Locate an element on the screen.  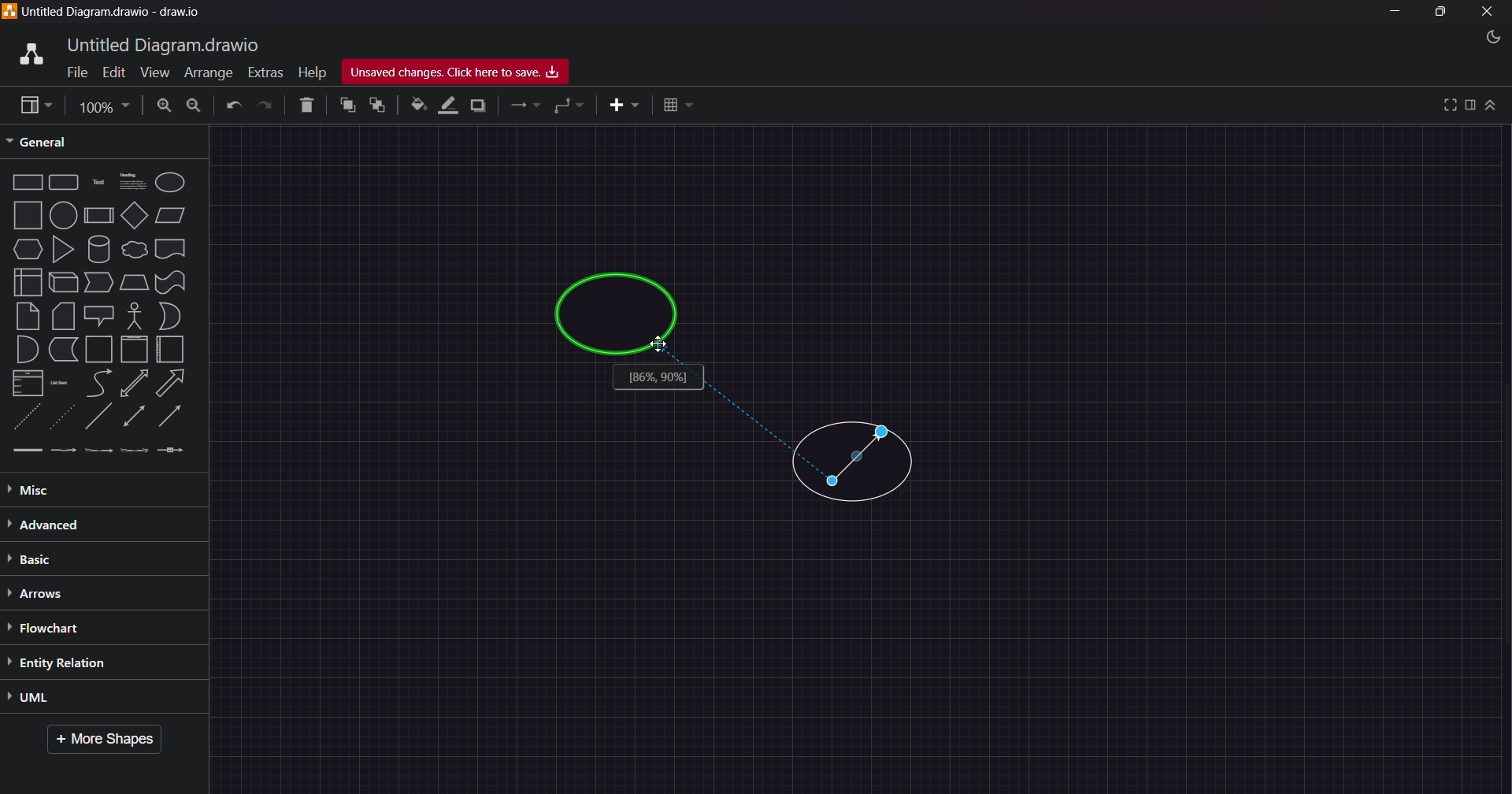
to back is located at coordinates (375, 106).